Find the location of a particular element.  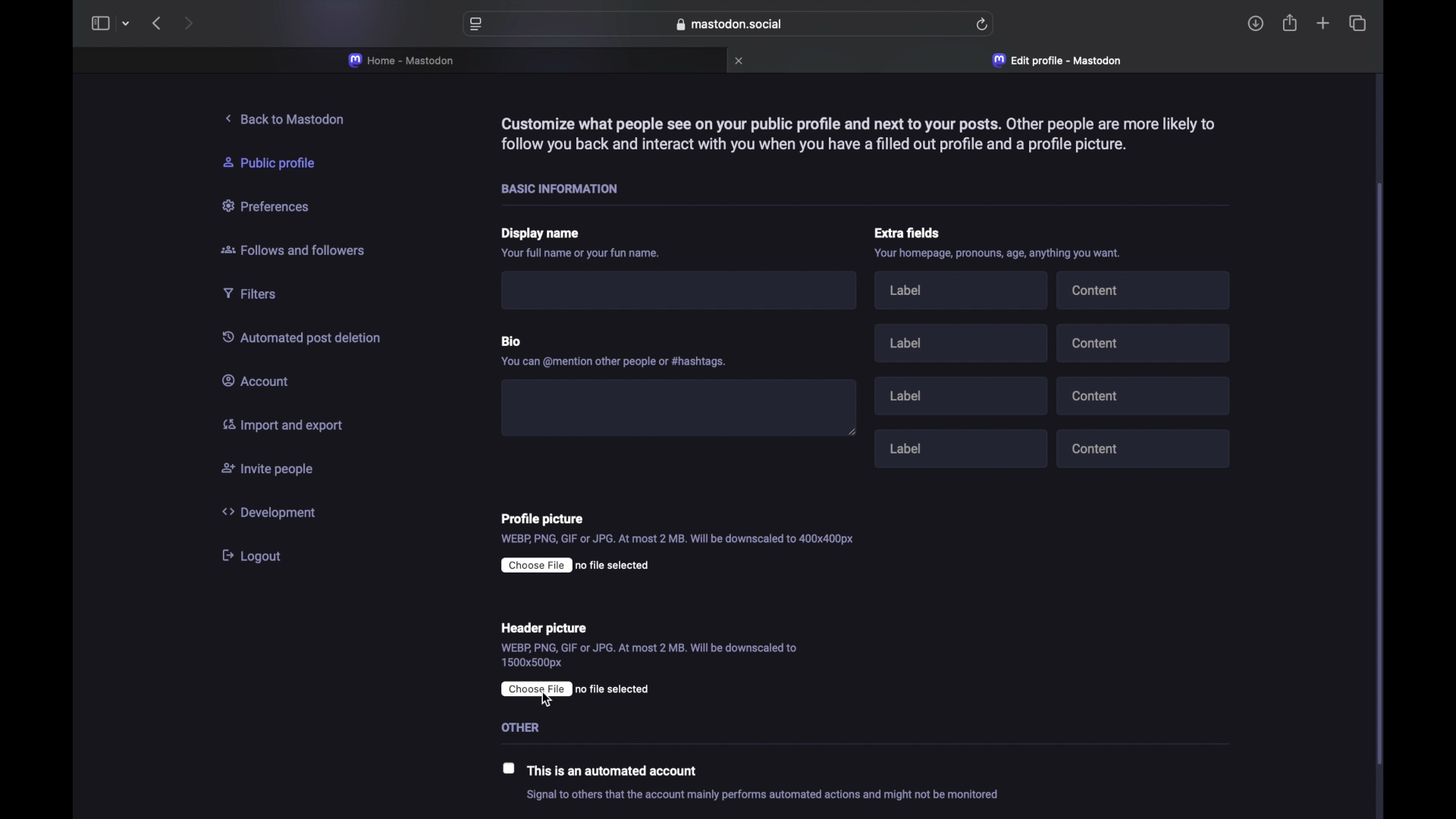

info is located at coordinates (856, 133).